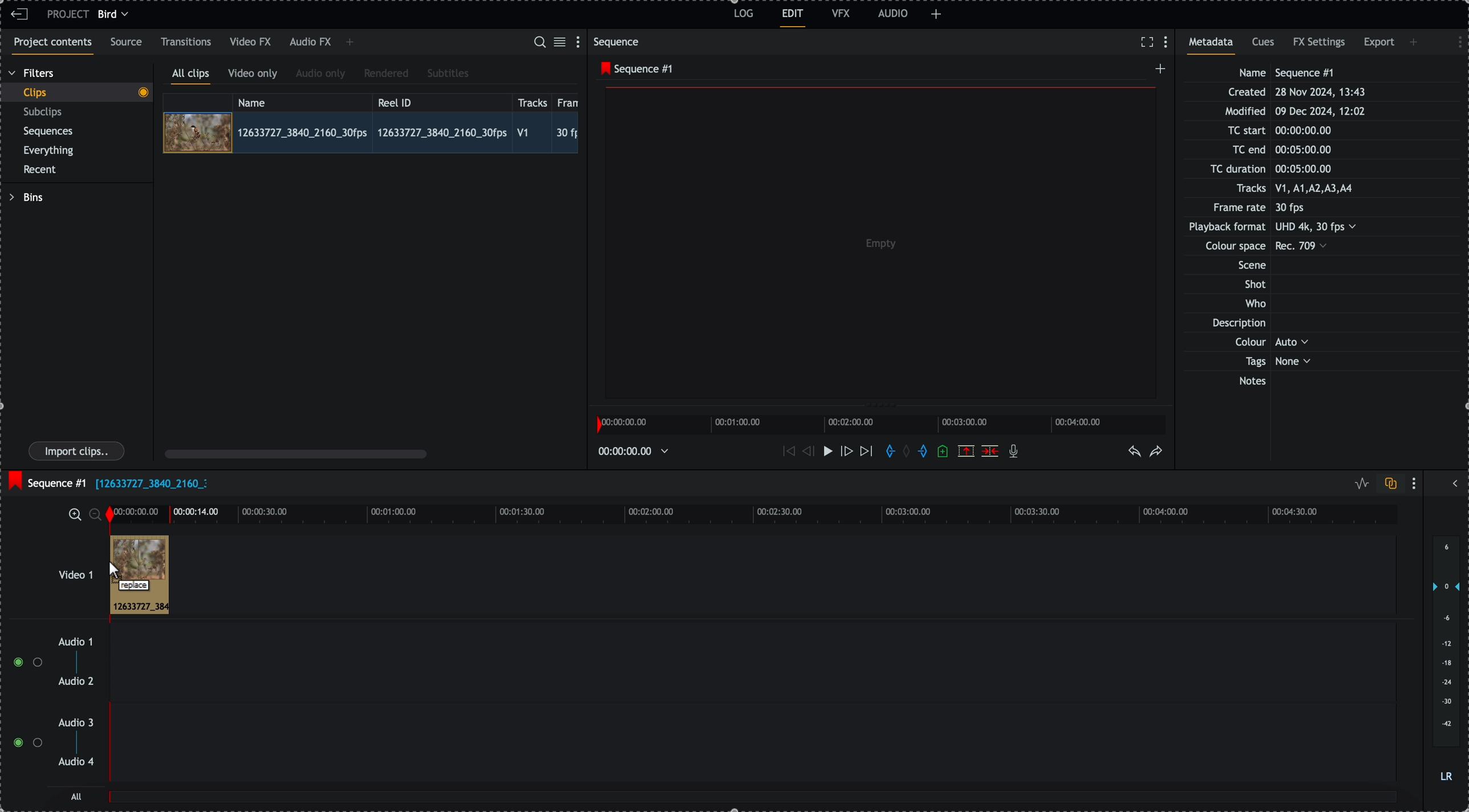  I want to click on add panel, so click(1415, 42).